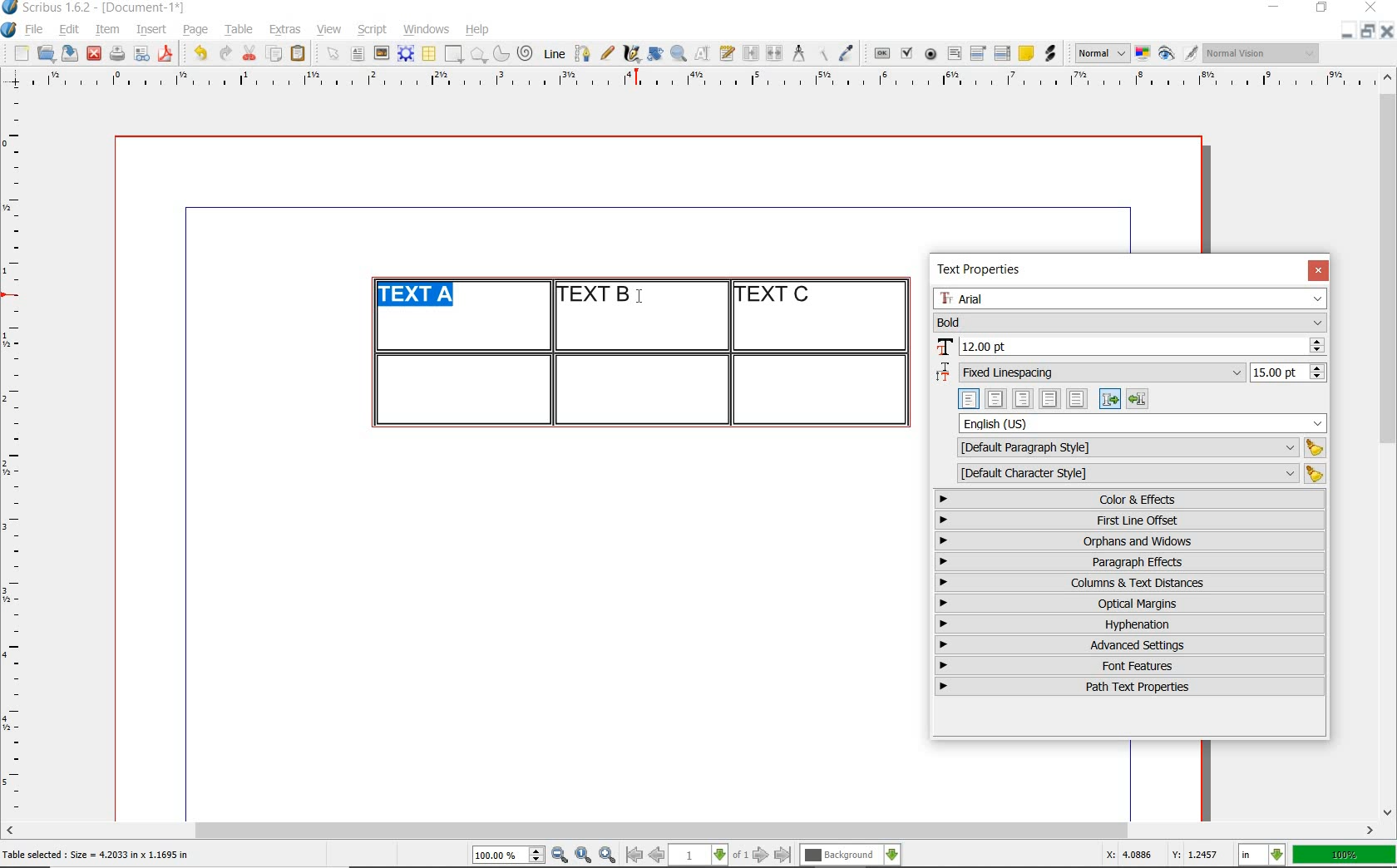 Image resolution: width=1397 pixels, height=868 pixels. What do you see at coordinates (690, 832) in the screenshot?
I see `scrollbar` at bounding box center [690, 832].